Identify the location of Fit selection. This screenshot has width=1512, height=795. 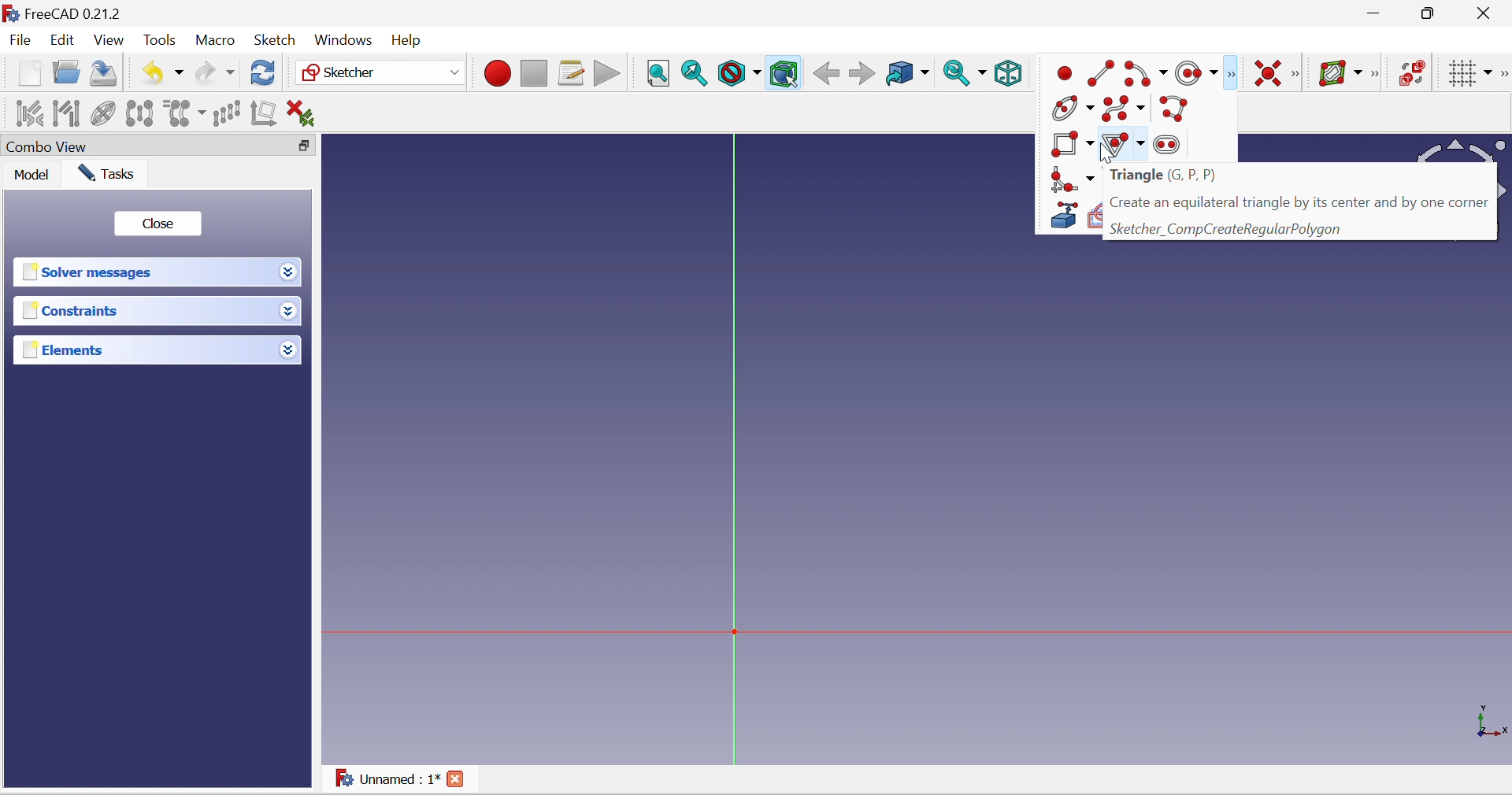
(695, 74).